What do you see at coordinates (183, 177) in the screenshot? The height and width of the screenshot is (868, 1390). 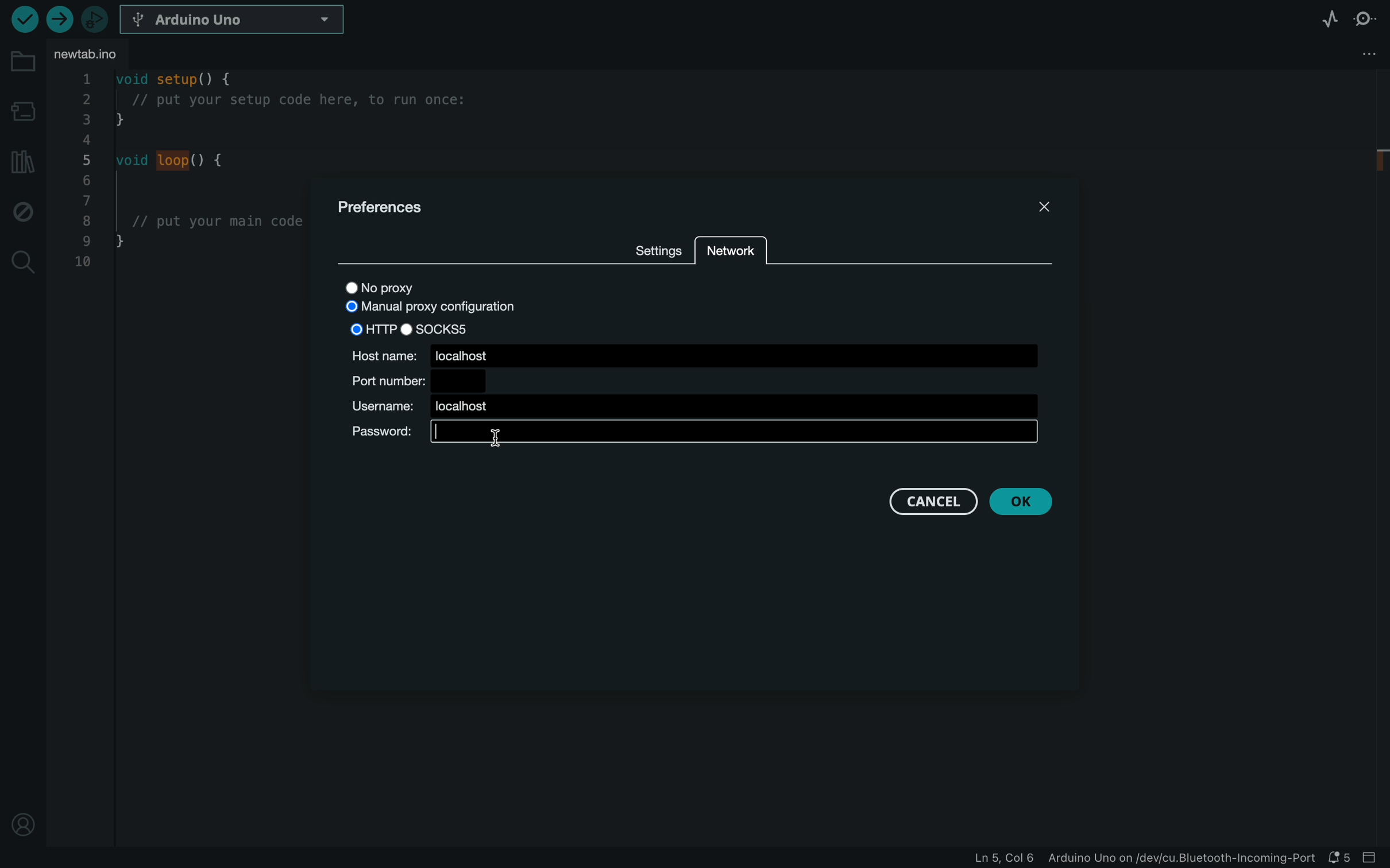 I see `code` at bounding box center [183, 177].